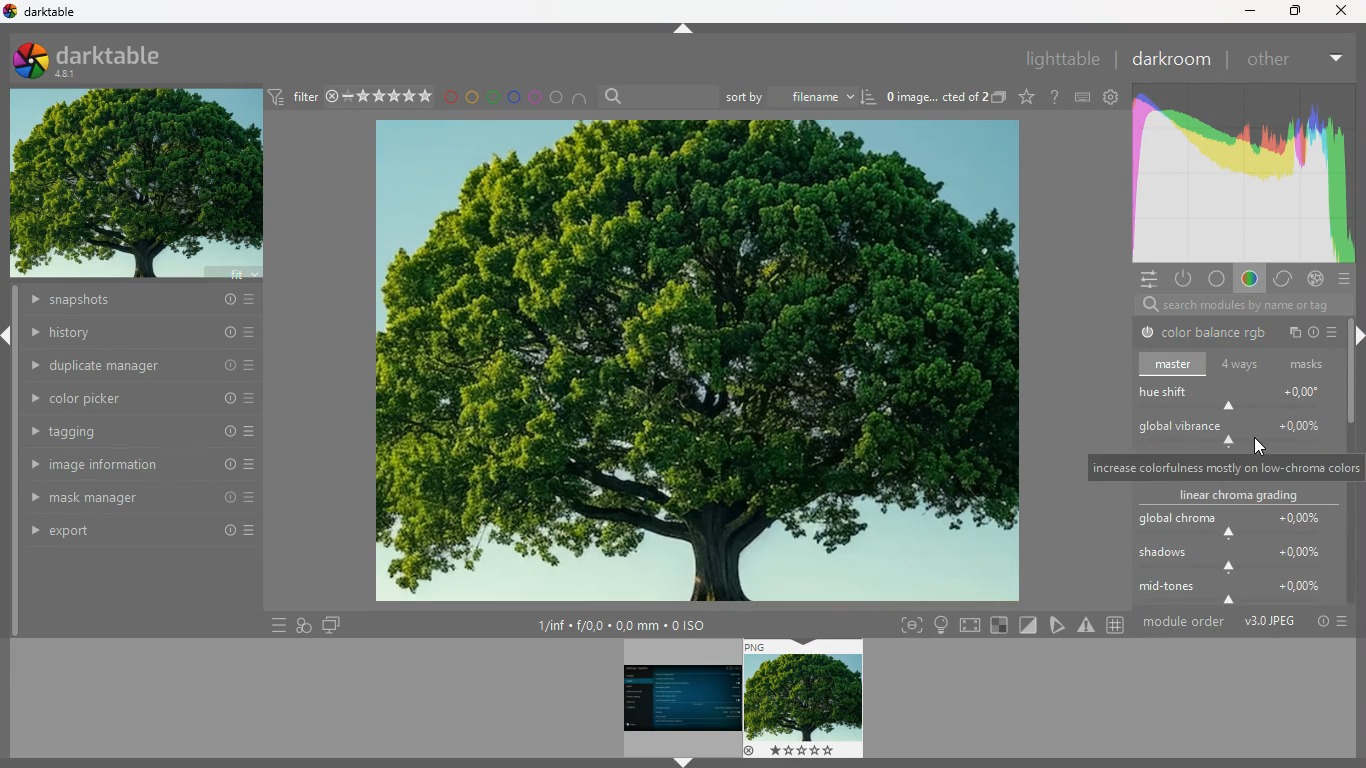  What do you see at coordinates (141, 496) in the screenshot?
I see `mask manager` at bounding box center [141, 496].